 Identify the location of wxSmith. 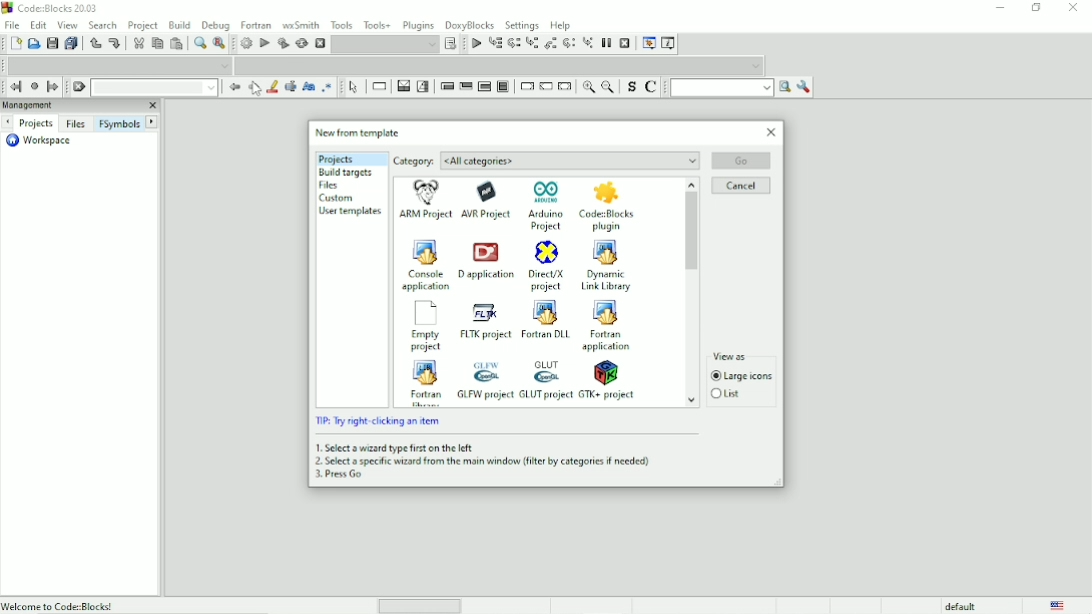
(300, 24).